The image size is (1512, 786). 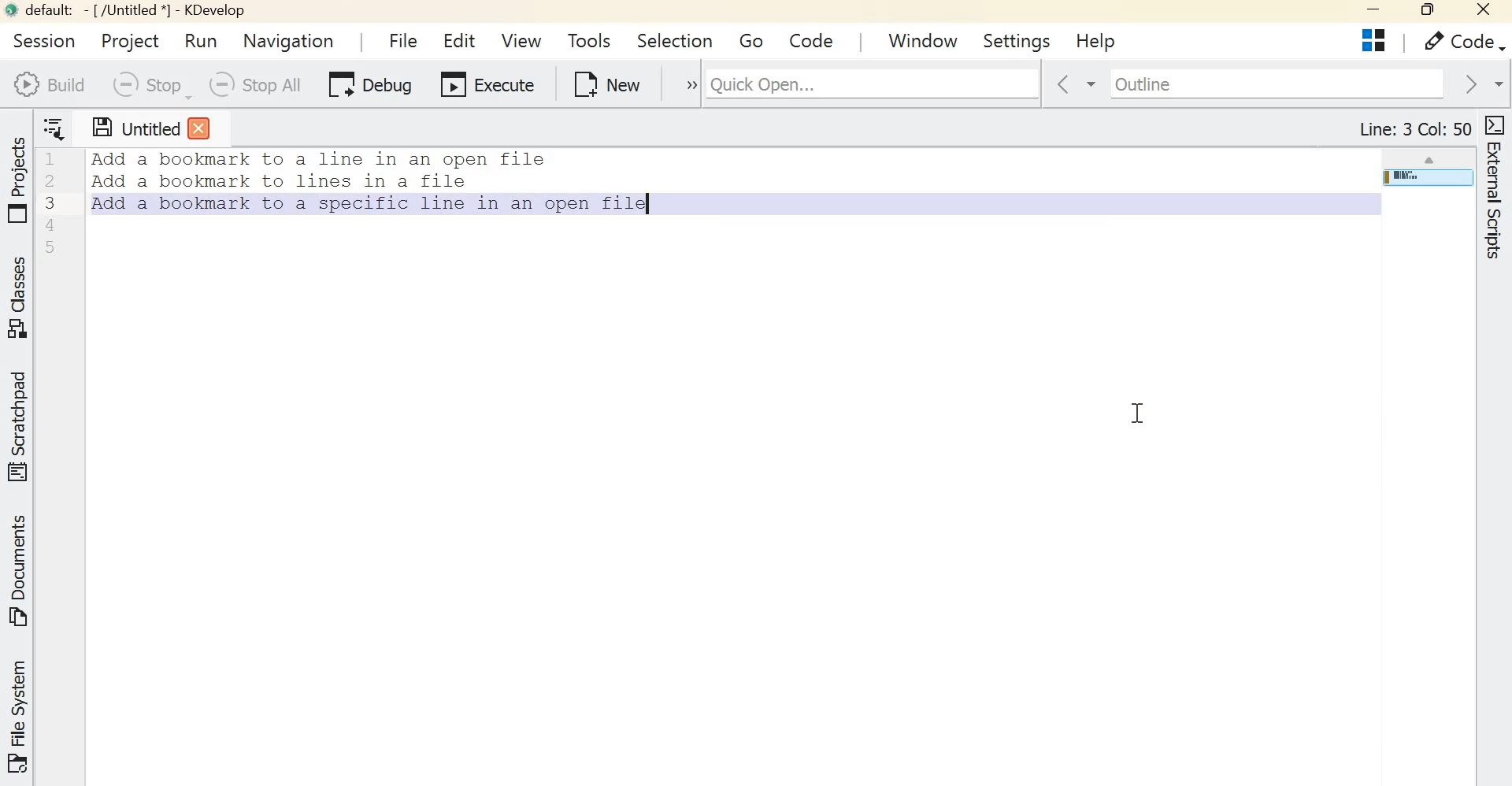 I want to click on Minimize, so click(x=1376, y=12).